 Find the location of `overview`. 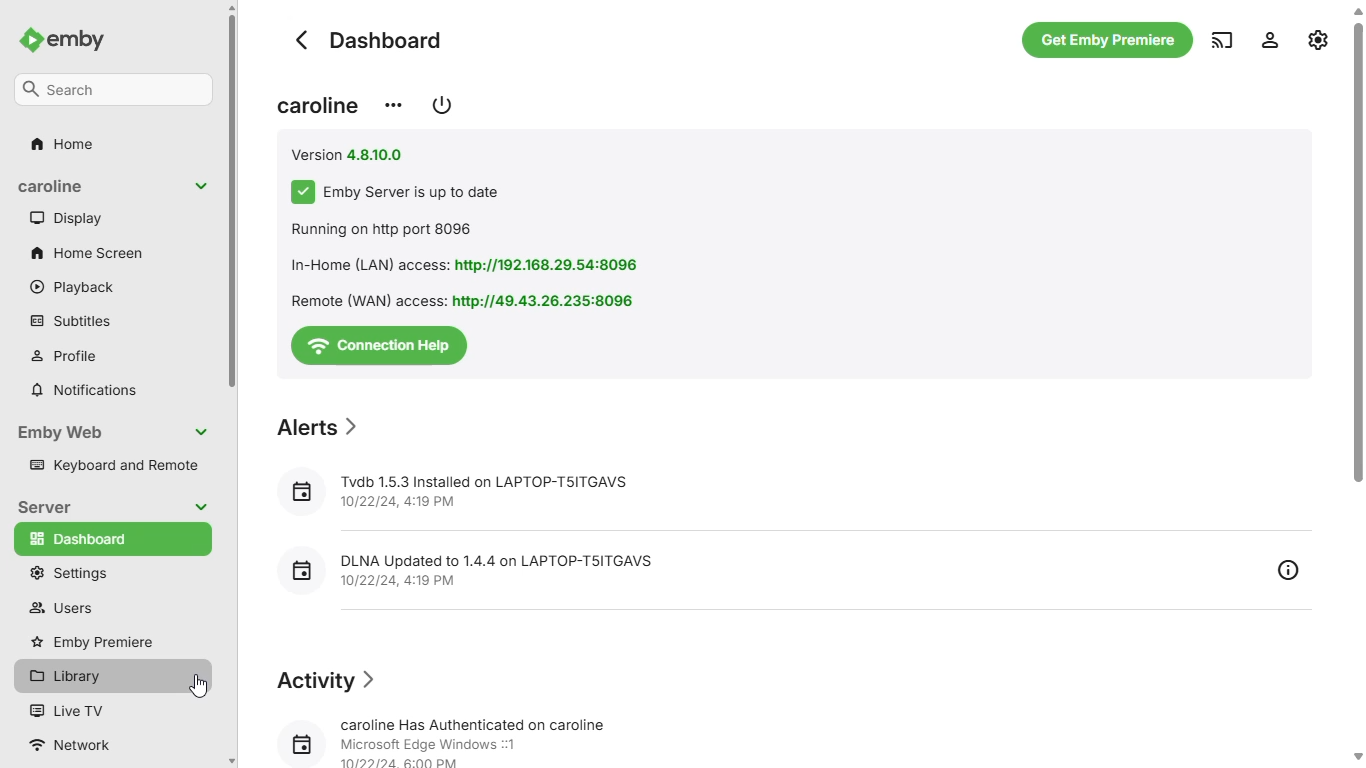

overview is located at coordinates (1289, 571).